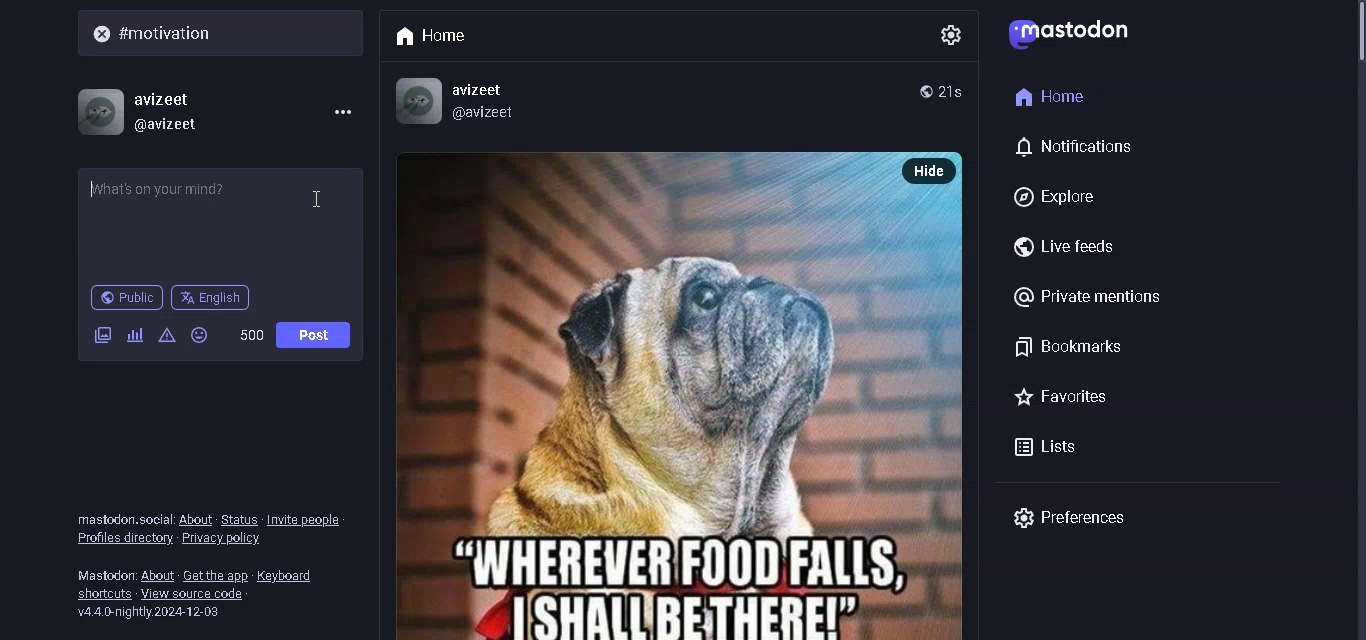 The height and width of the screenshot is (640, 1366). Describe the element at coordinates (166, 96) in the screenshot. I see `username` at that location.